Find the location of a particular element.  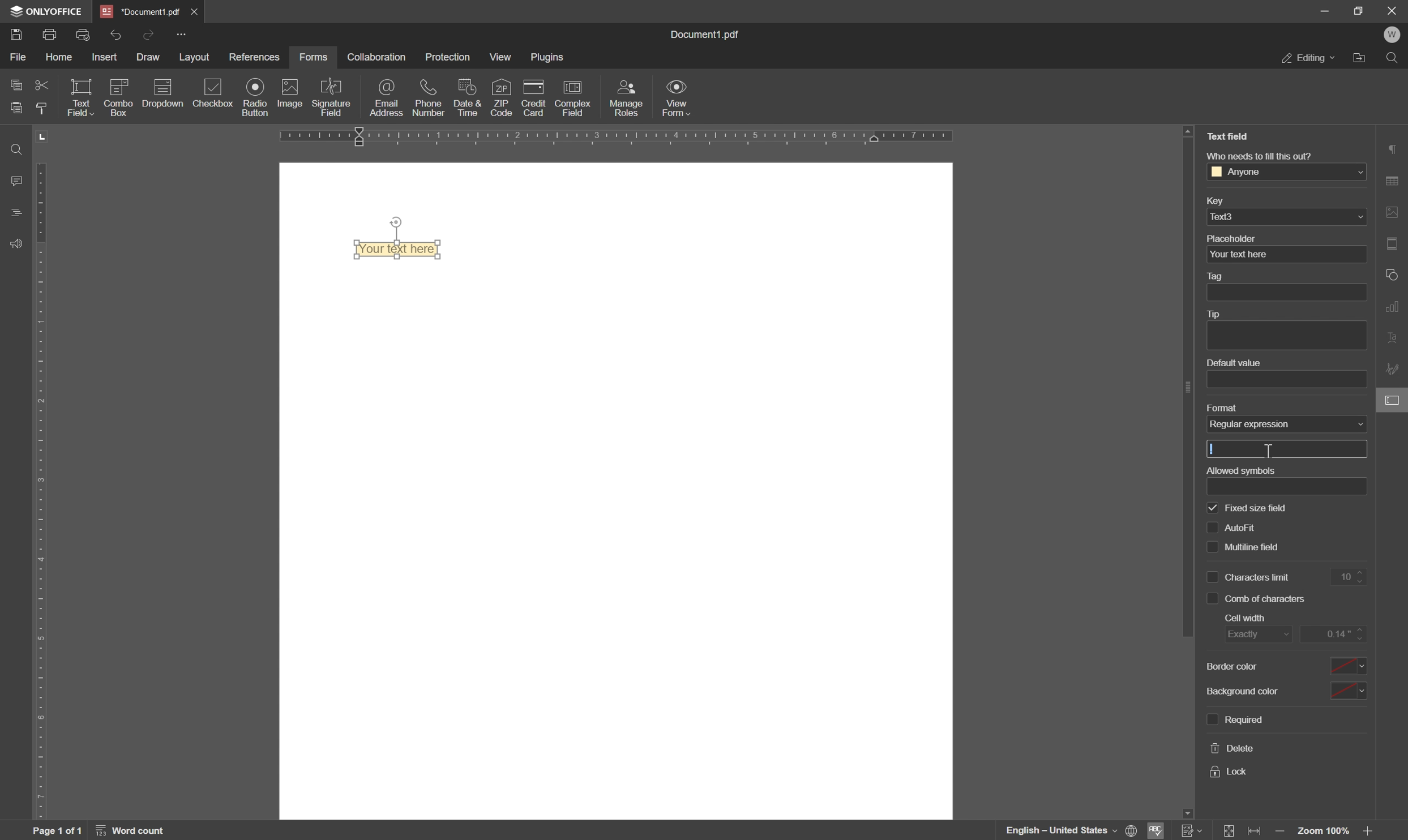

tip text box is located at coordinates (1282, 336).